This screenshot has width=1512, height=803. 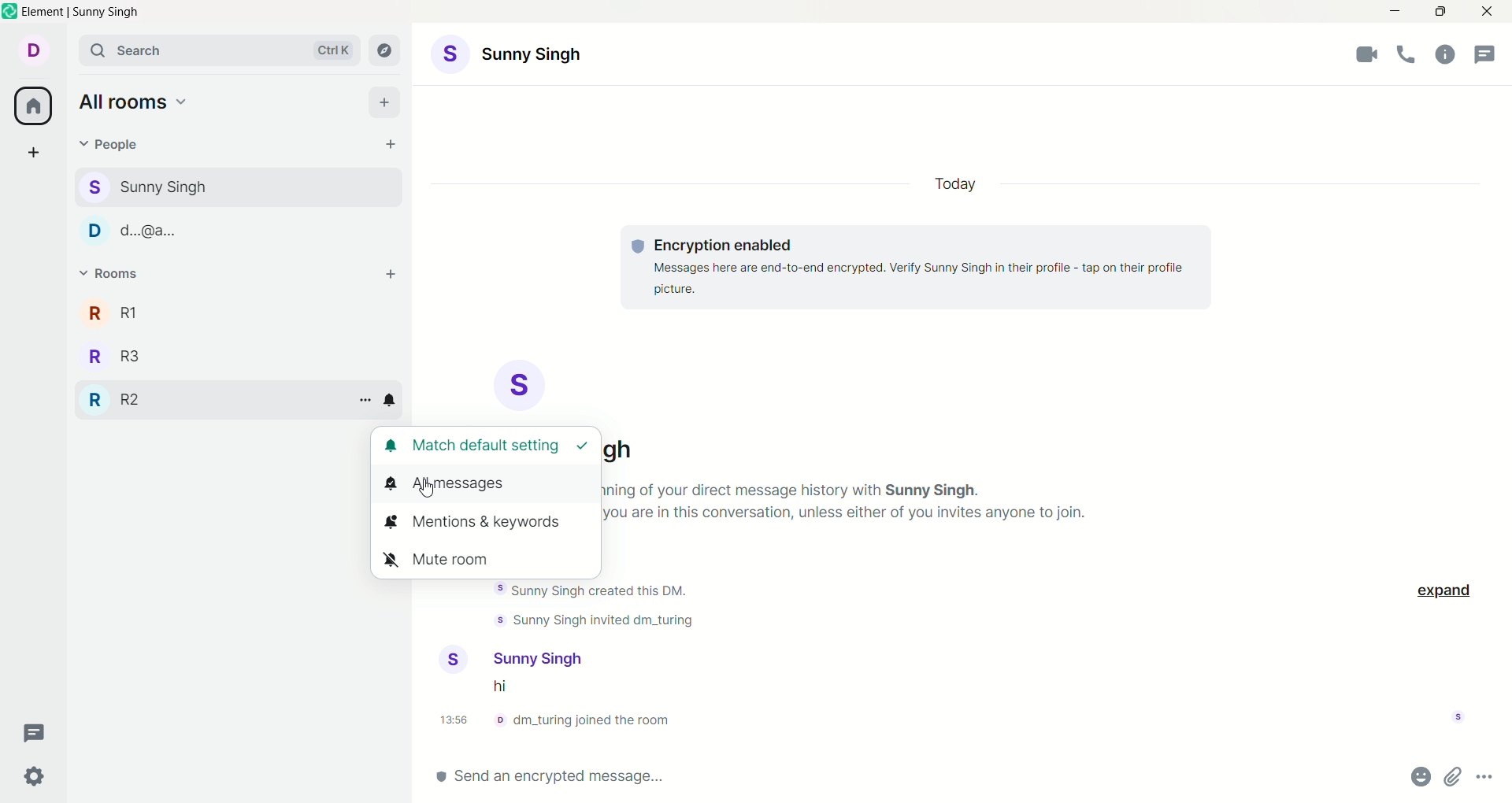 I want to click on element, so click(x=75, y=13).